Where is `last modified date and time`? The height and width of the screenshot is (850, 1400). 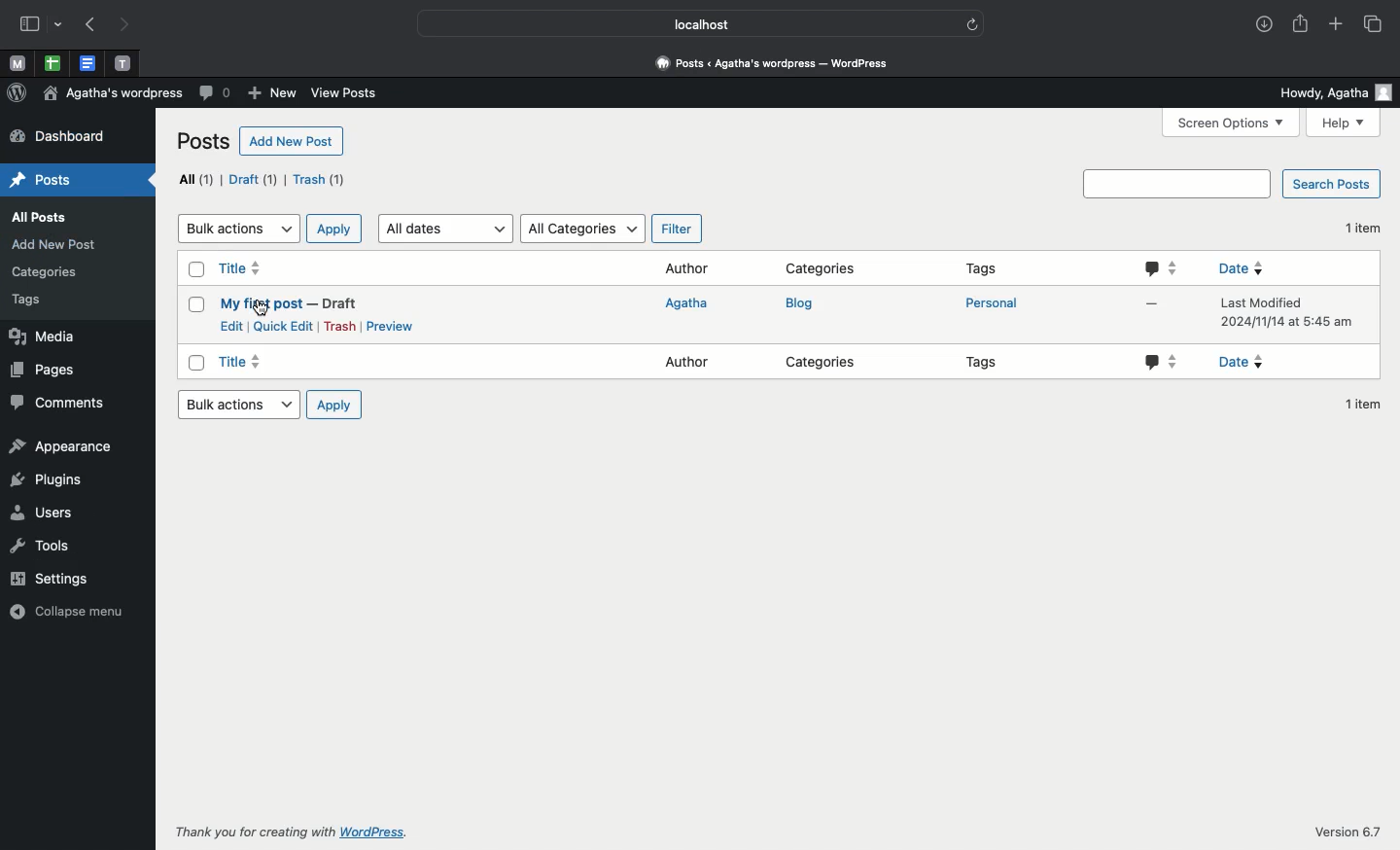 last modified date and time is located at coordinates (1281, 316).